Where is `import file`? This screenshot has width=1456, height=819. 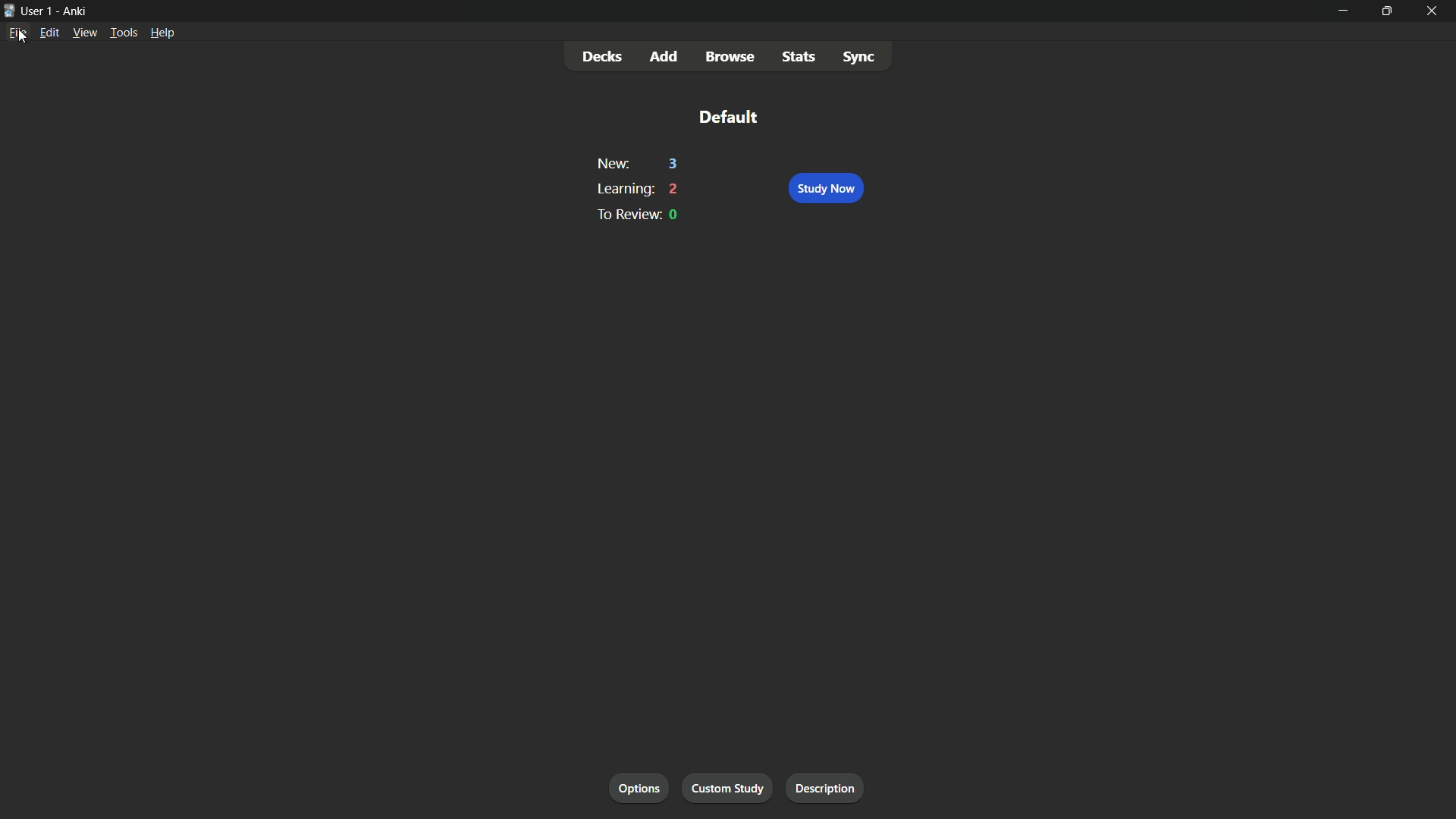
import file is located at coordinates (830, 789).